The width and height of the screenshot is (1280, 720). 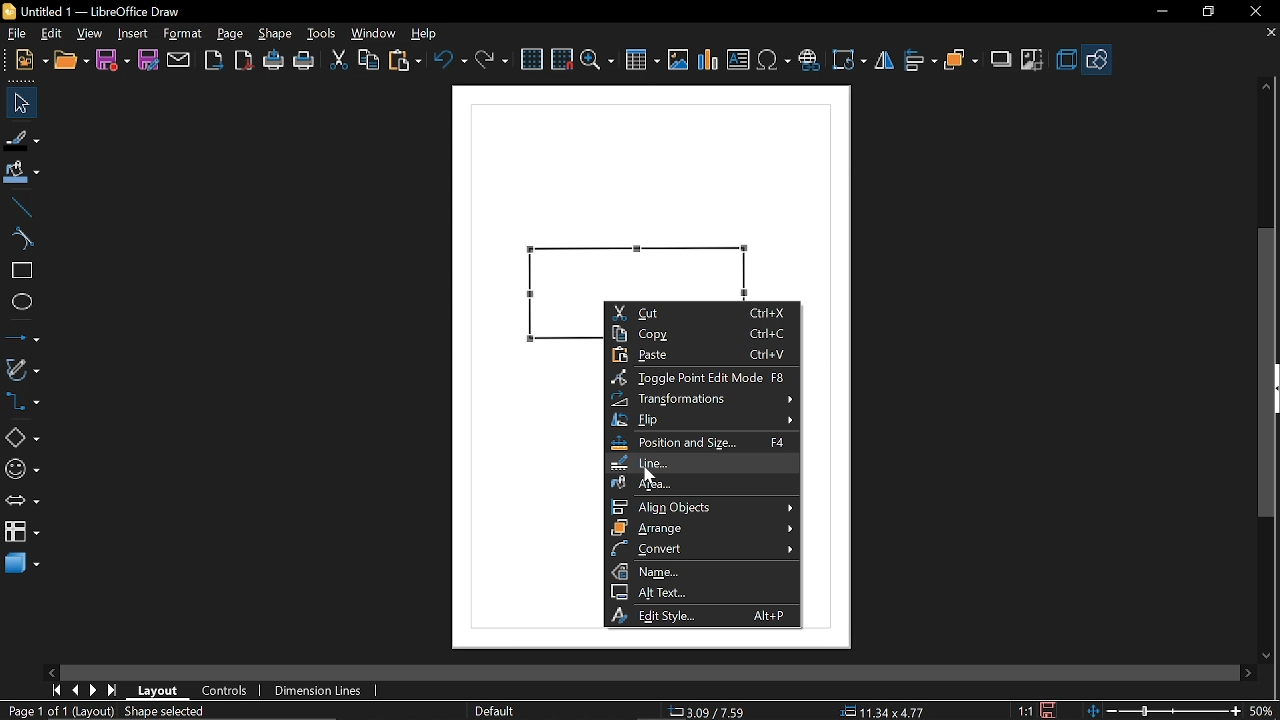 What do you see at coordinates (562, 58) in the screenshot?
I see `snap to grid` at bounding box center [562, 58].